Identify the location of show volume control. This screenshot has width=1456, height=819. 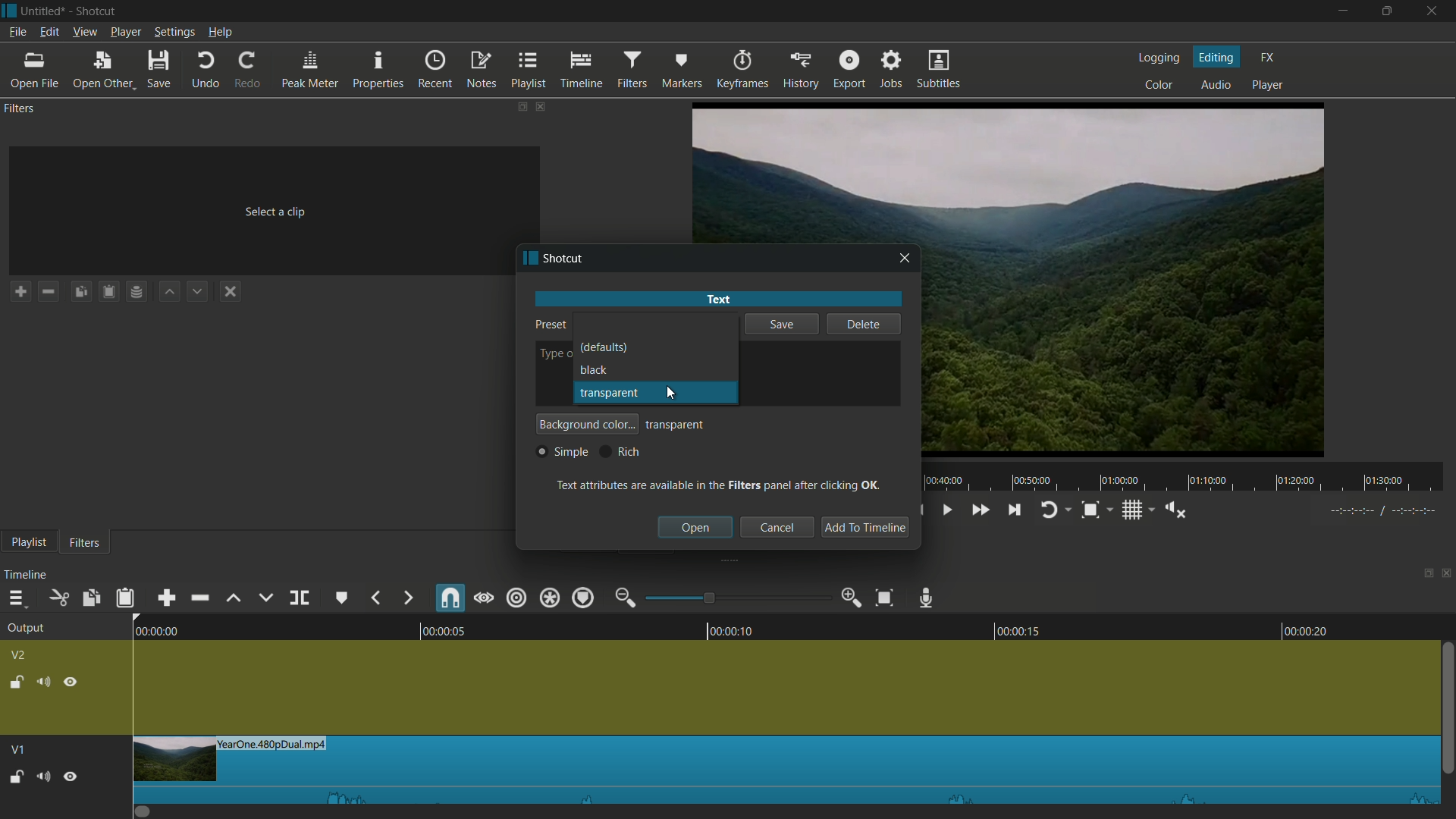
(1175, 508).